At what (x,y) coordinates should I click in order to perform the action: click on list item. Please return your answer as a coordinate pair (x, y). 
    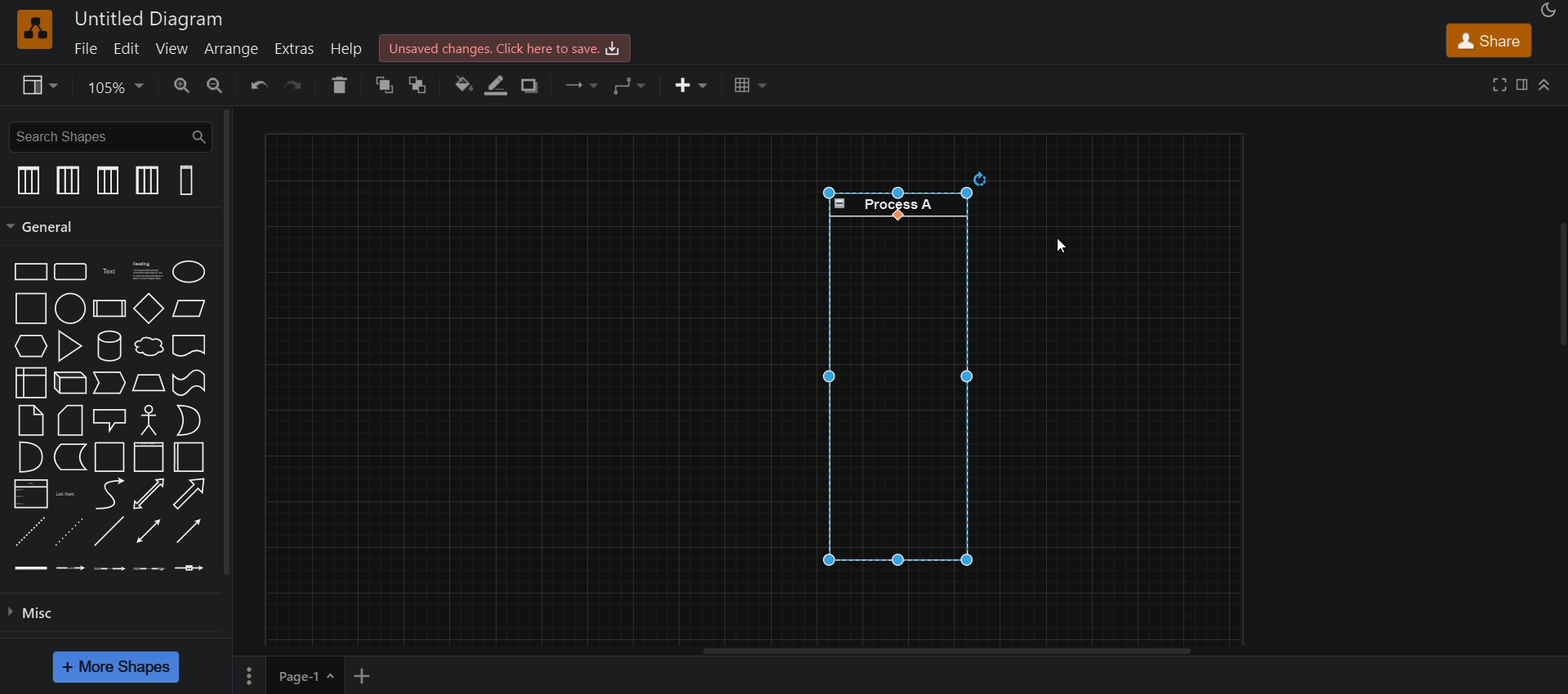
    Looking at the image, I should click on (69, 493).